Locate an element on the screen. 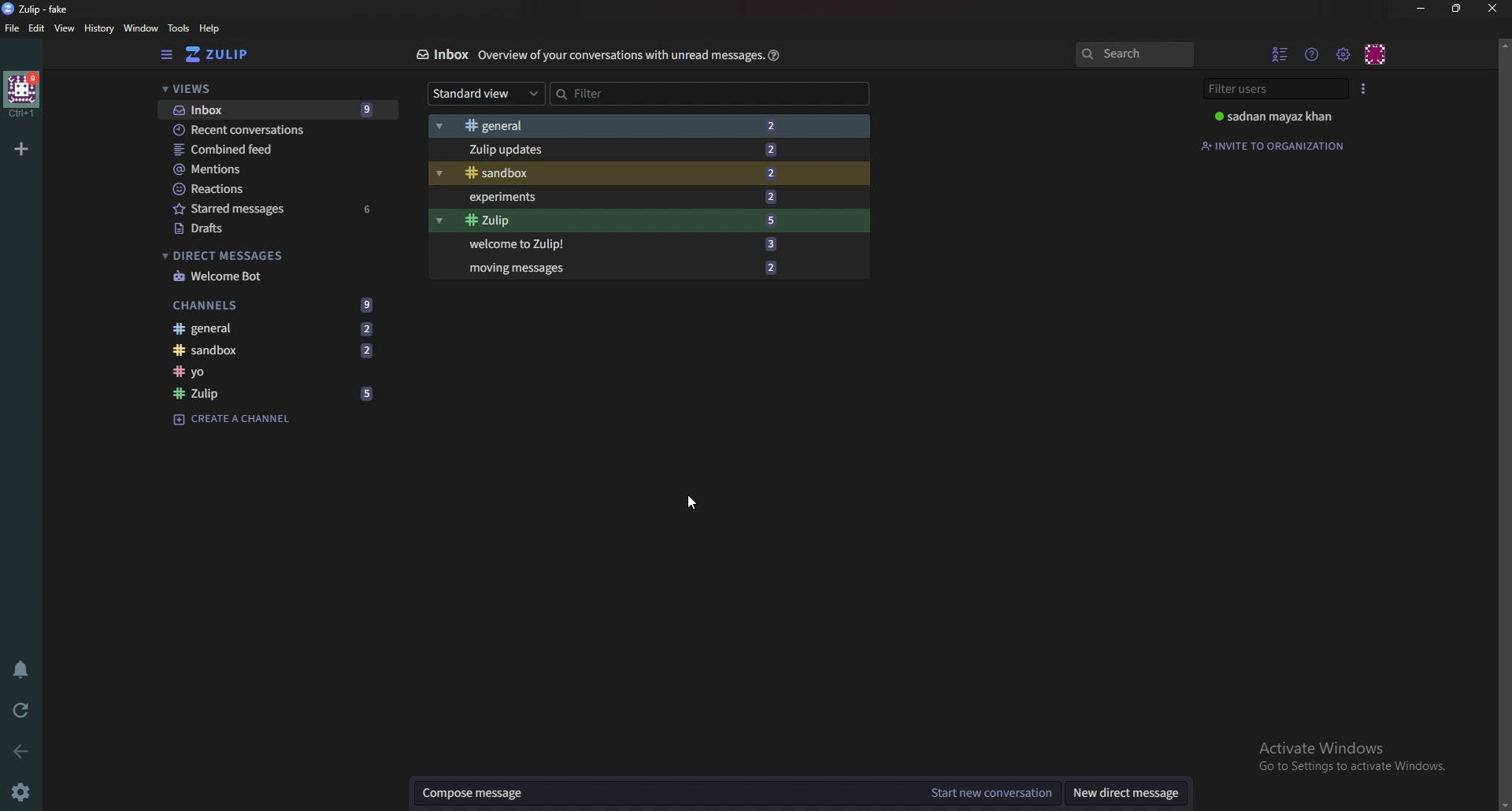  Filter users is located at coordinates (1270, 89).